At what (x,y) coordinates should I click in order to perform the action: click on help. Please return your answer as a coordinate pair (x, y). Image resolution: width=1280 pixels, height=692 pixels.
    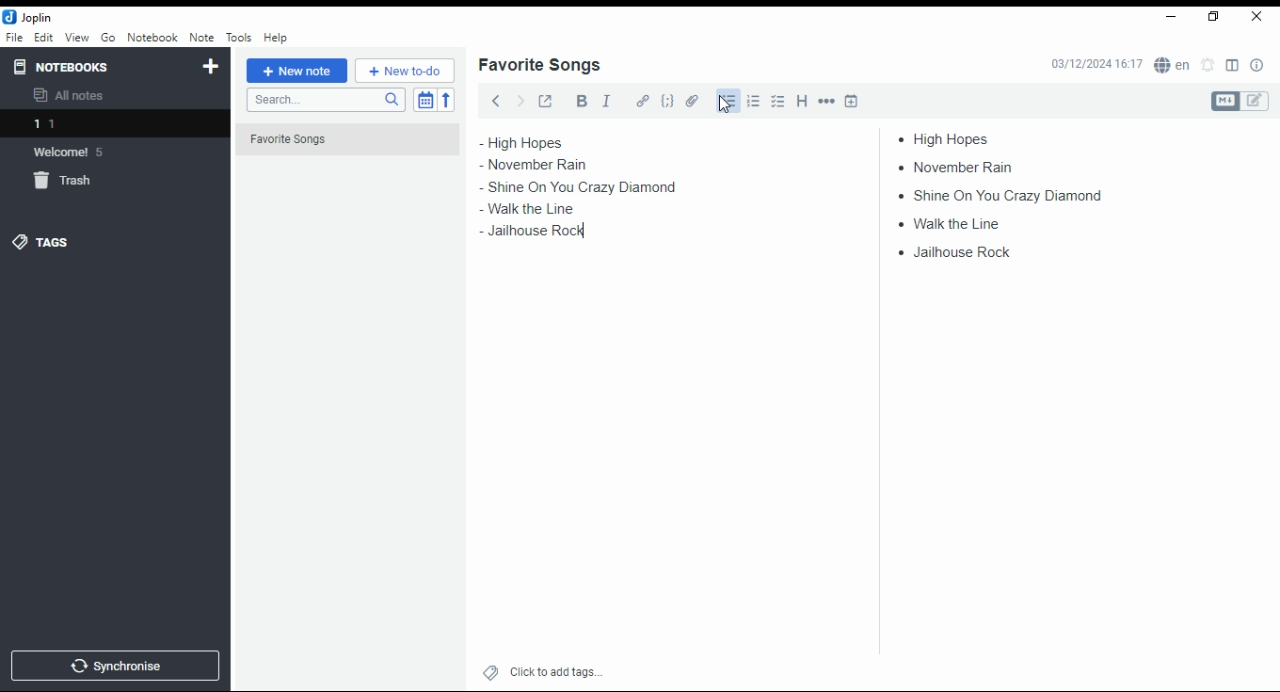
    Looking at the image, I should click on (275, 38).